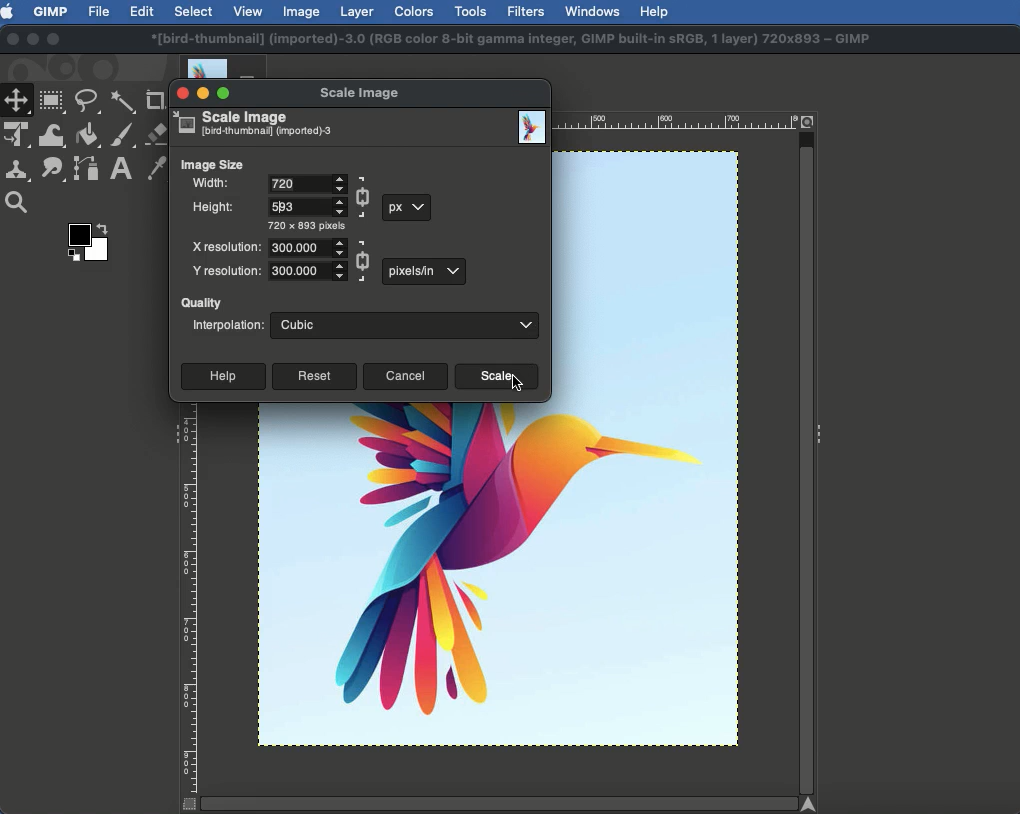  Describe the element at coordinates (54, 171) in the screenshot. I see `Smudge tool` at that location.